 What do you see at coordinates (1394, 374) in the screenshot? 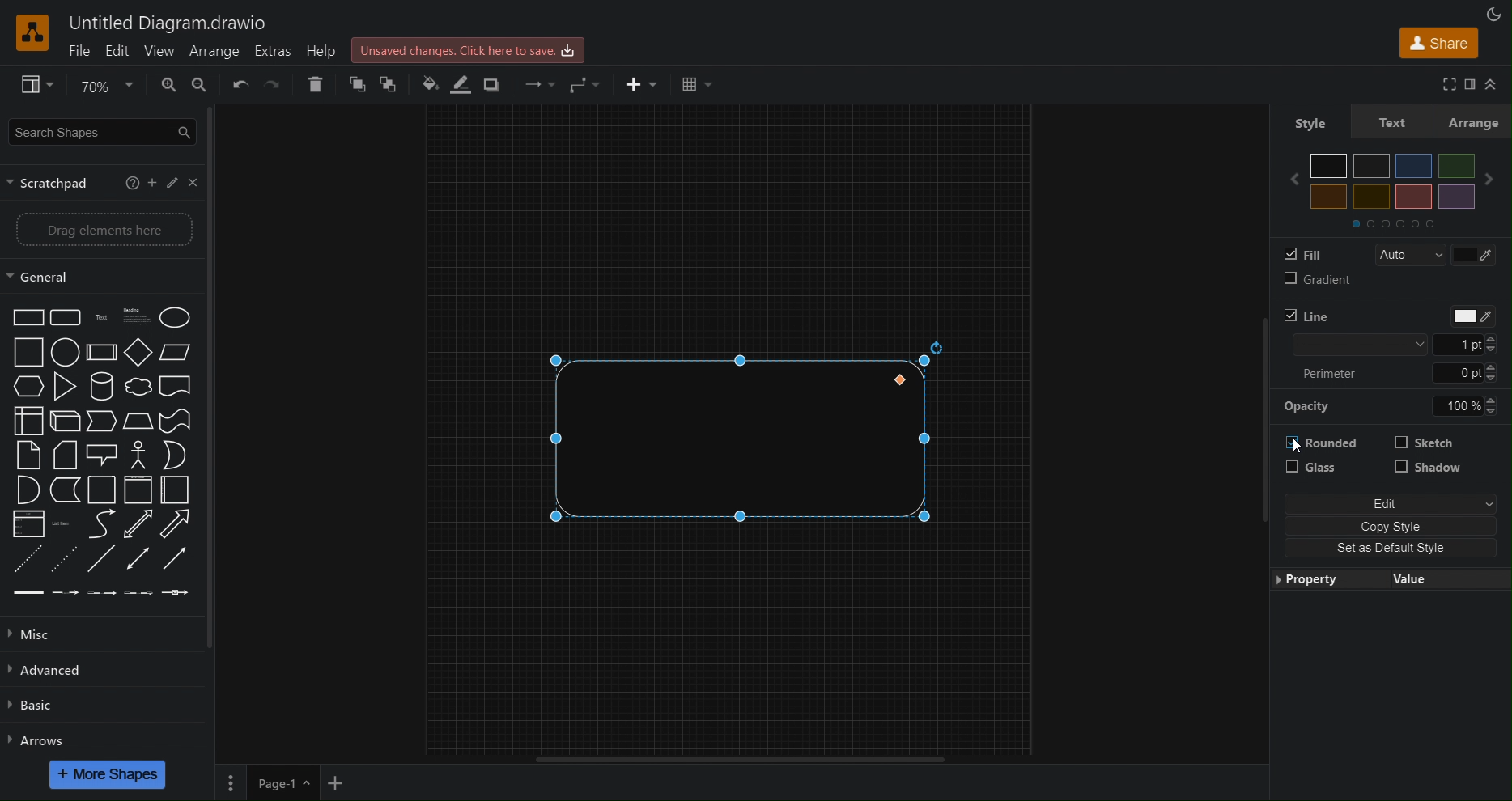
I see `Perimeter size` at bounding box center [1394, 374].